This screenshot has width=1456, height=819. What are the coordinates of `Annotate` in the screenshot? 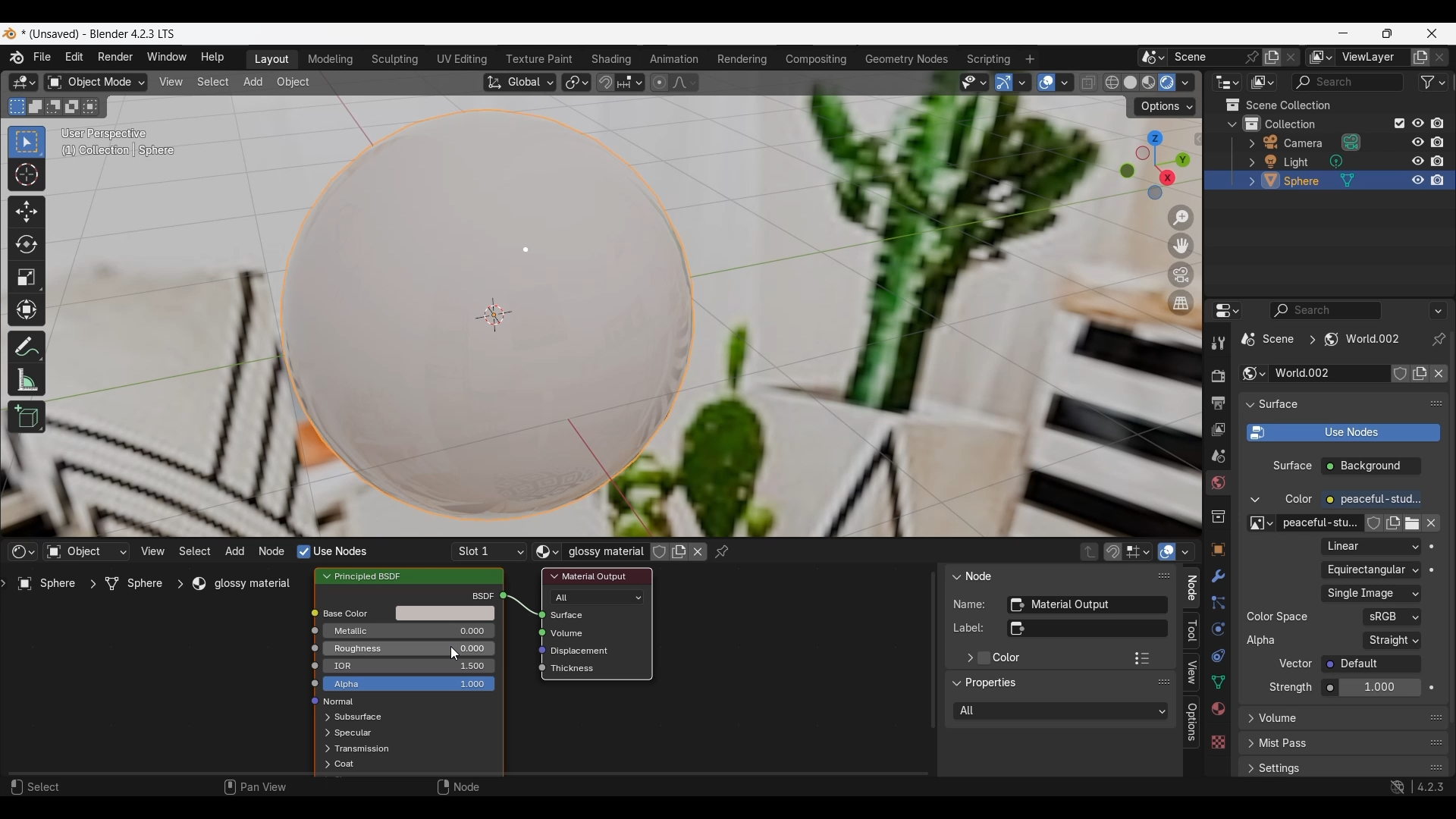 It's located at (27, 347).